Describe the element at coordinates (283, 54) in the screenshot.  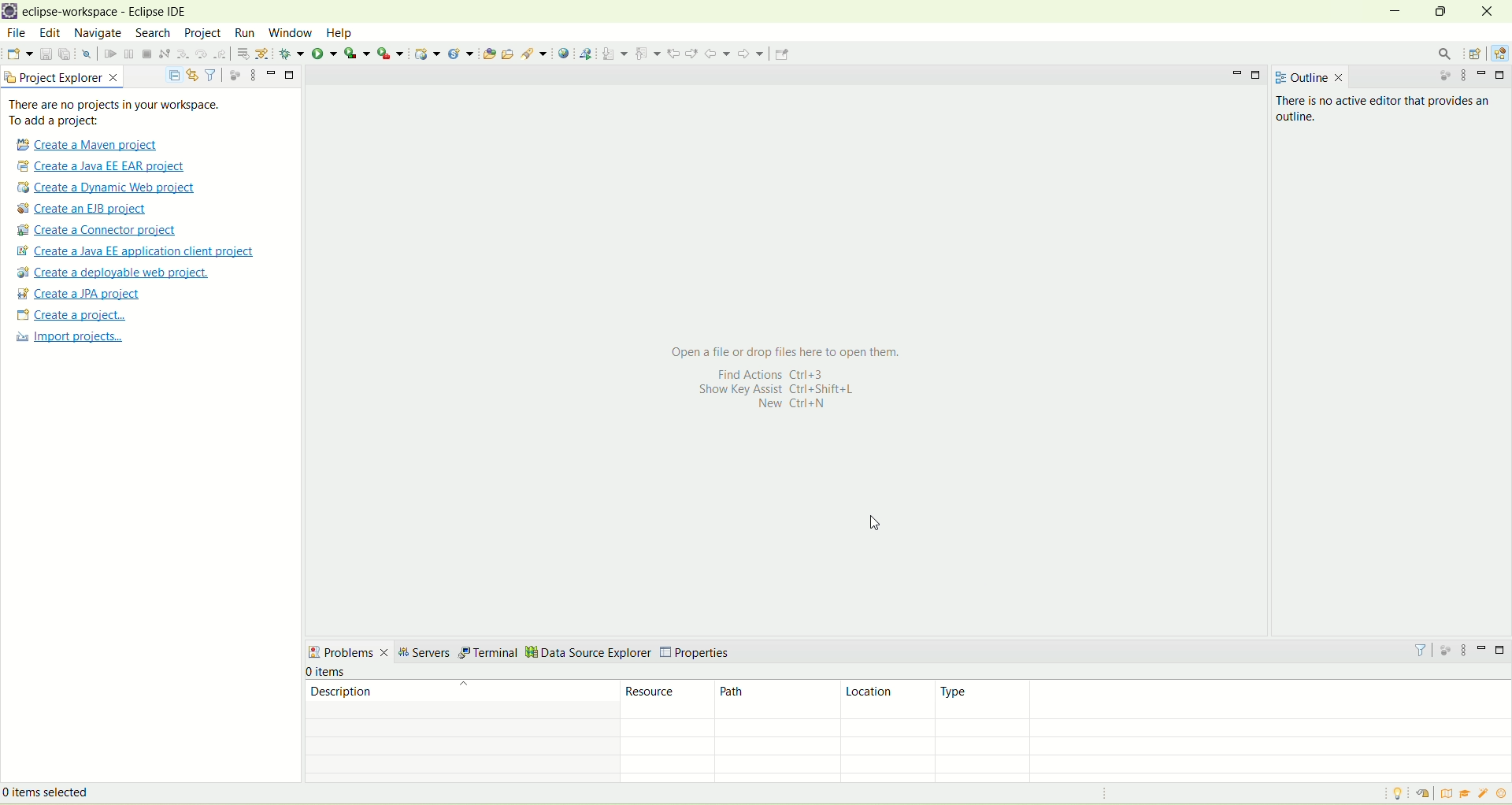
I see `step return` at that location.